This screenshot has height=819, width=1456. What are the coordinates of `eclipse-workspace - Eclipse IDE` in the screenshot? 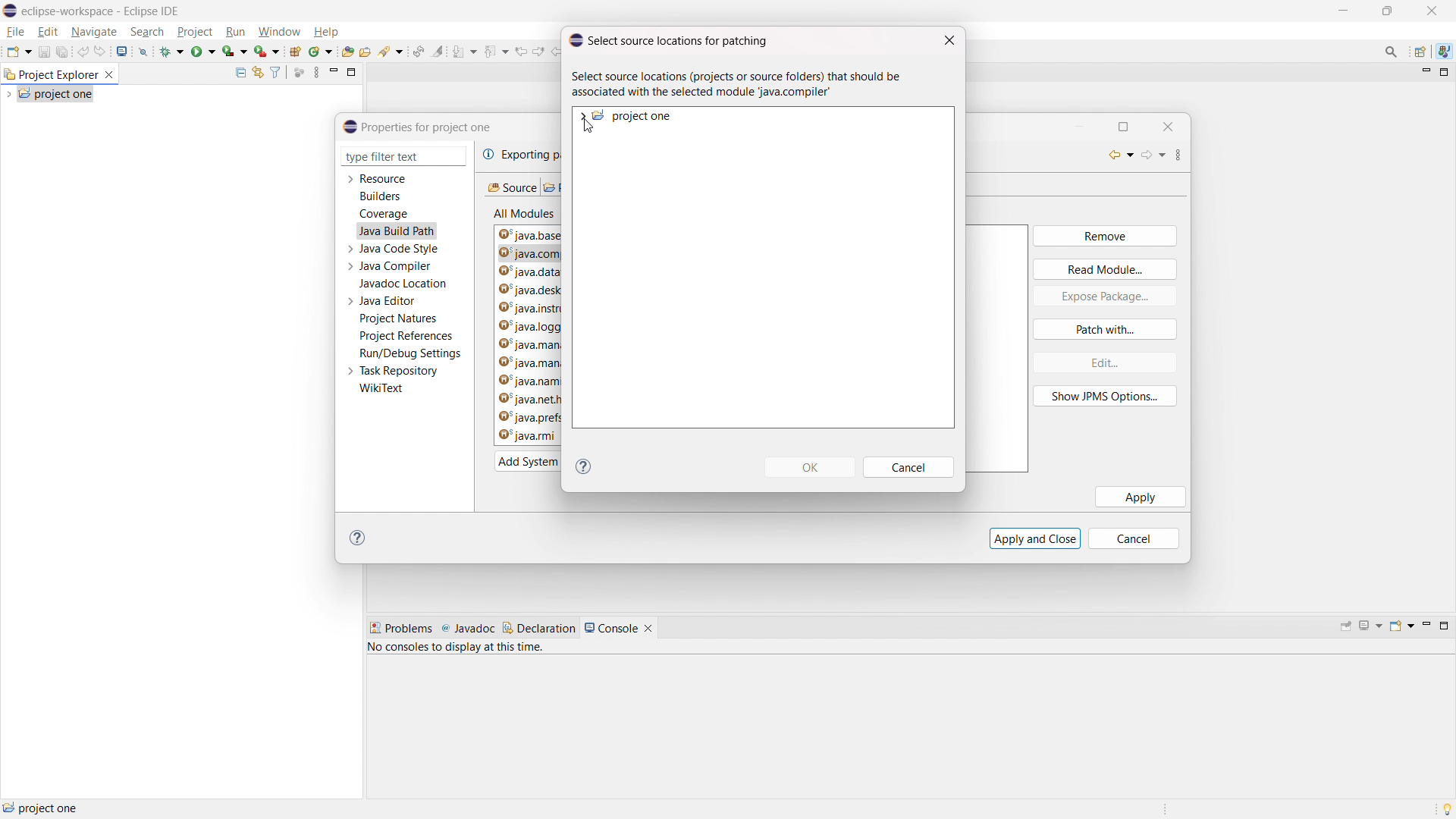 It's located at (101, 11).